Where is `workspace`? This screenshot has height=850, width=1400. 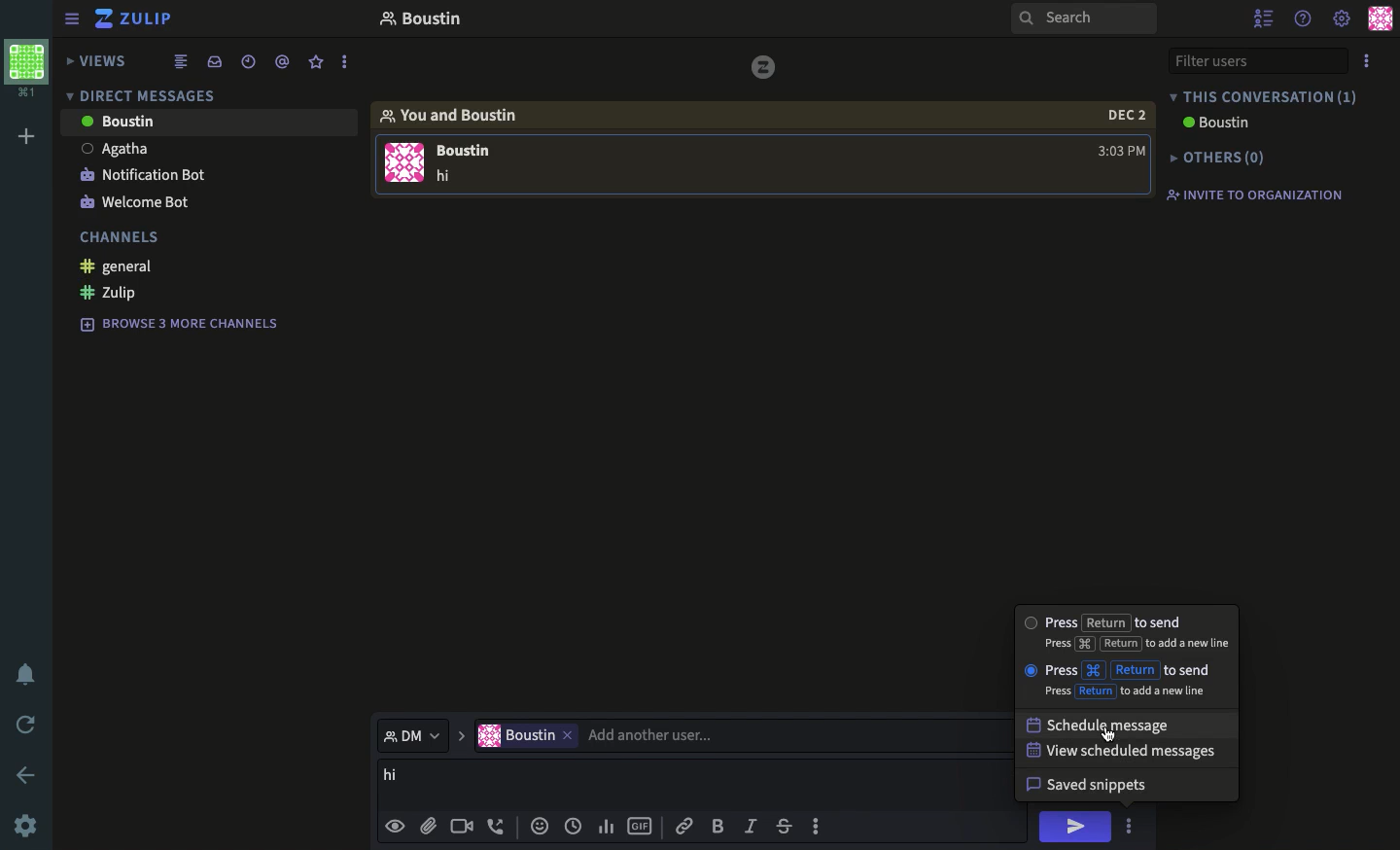
workspace is located at coordinates (26, 69).